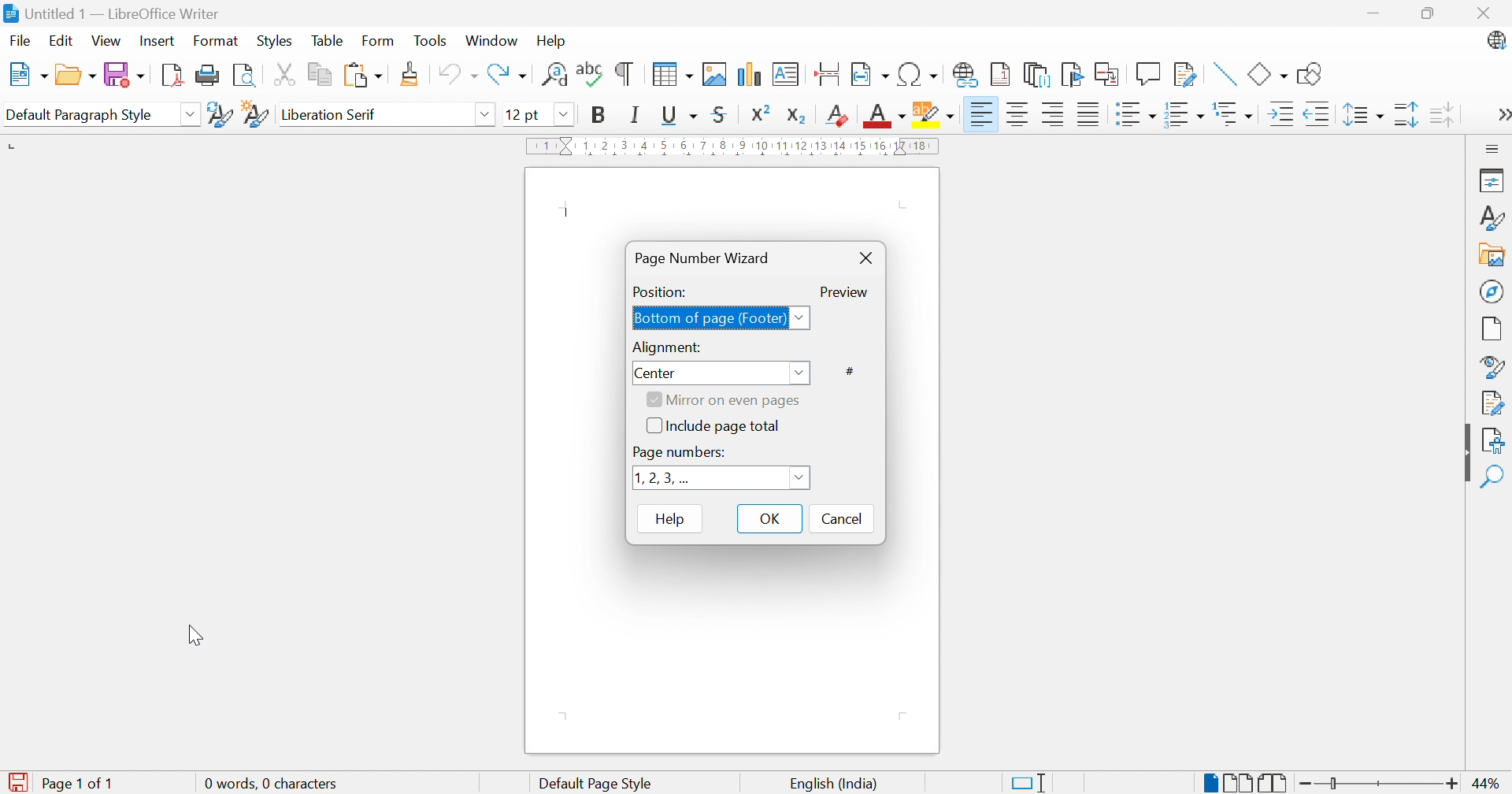 The height and width of the screenshot is (794, 1512). What do you see at coordinates (1495, 217) in the screenshot?
I see `Styles` at bounding box center [1495, 217].